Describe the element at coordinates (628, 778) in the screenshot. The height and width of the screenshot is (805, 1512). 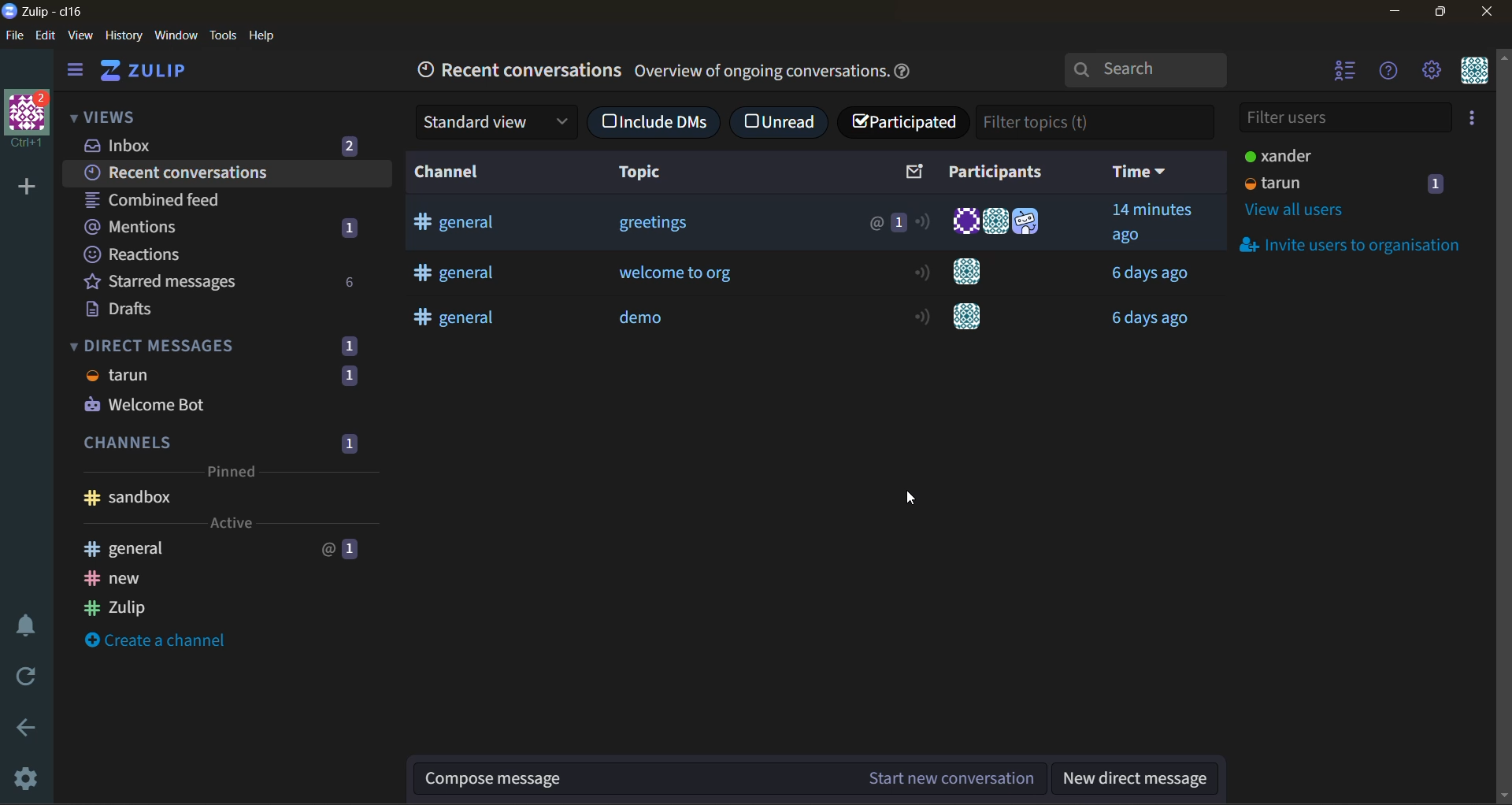
I see `compose message` at that location.